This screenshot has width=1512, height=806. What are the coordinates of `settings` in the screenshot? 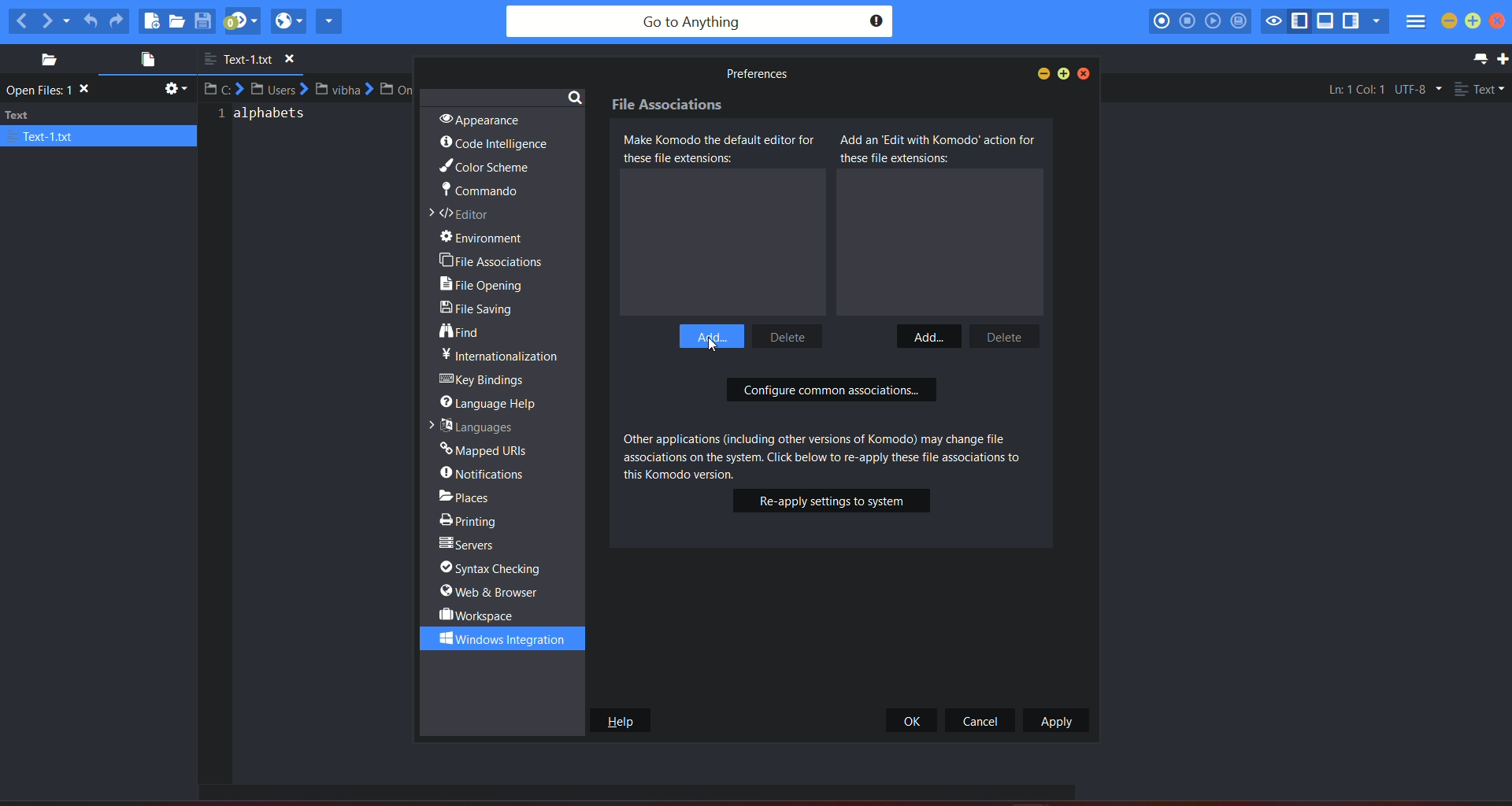 It's located at (173, 91).